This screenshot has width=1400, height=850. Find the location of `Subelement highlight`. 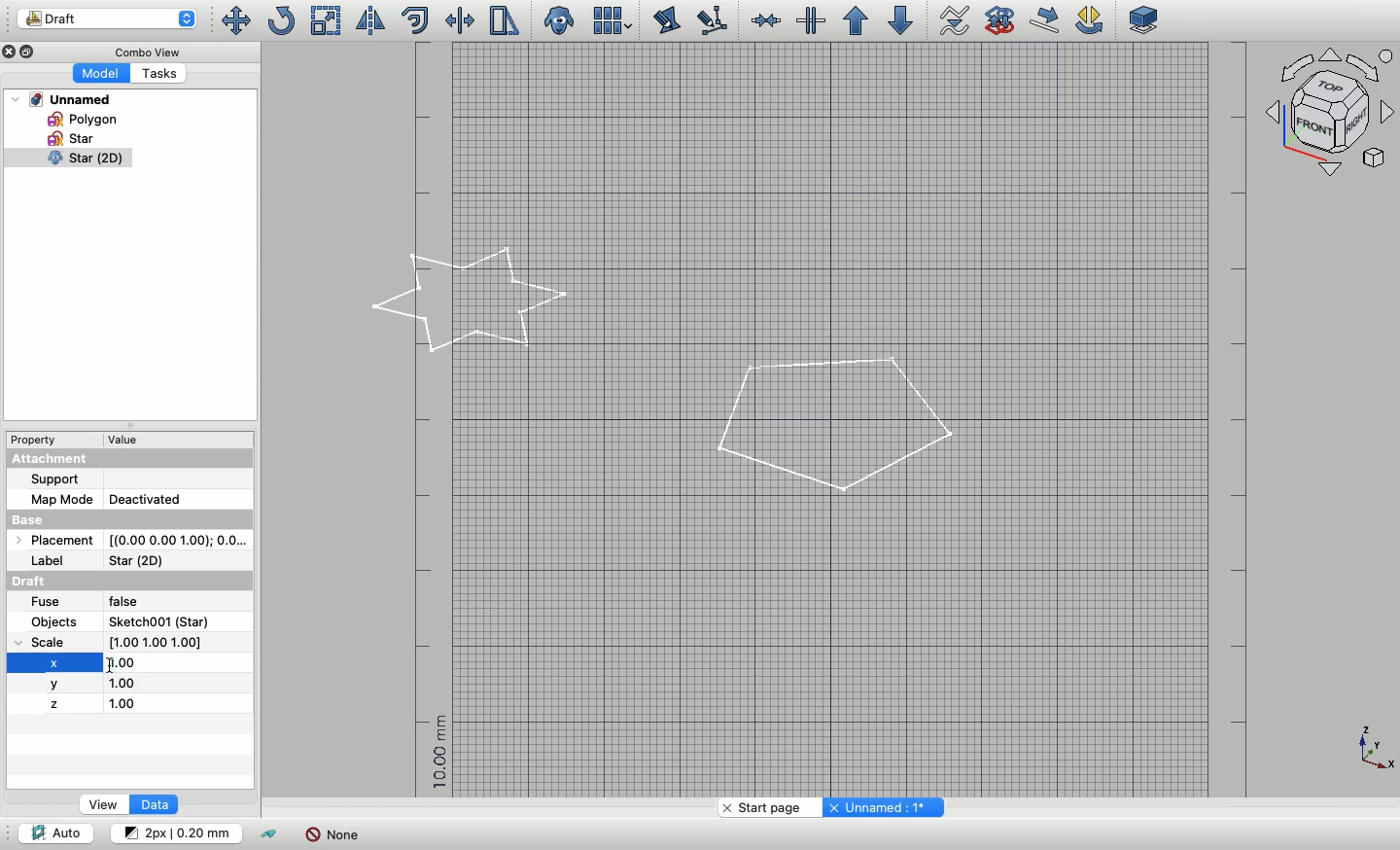

Subelement highlight is located at coordinates (710, 21).